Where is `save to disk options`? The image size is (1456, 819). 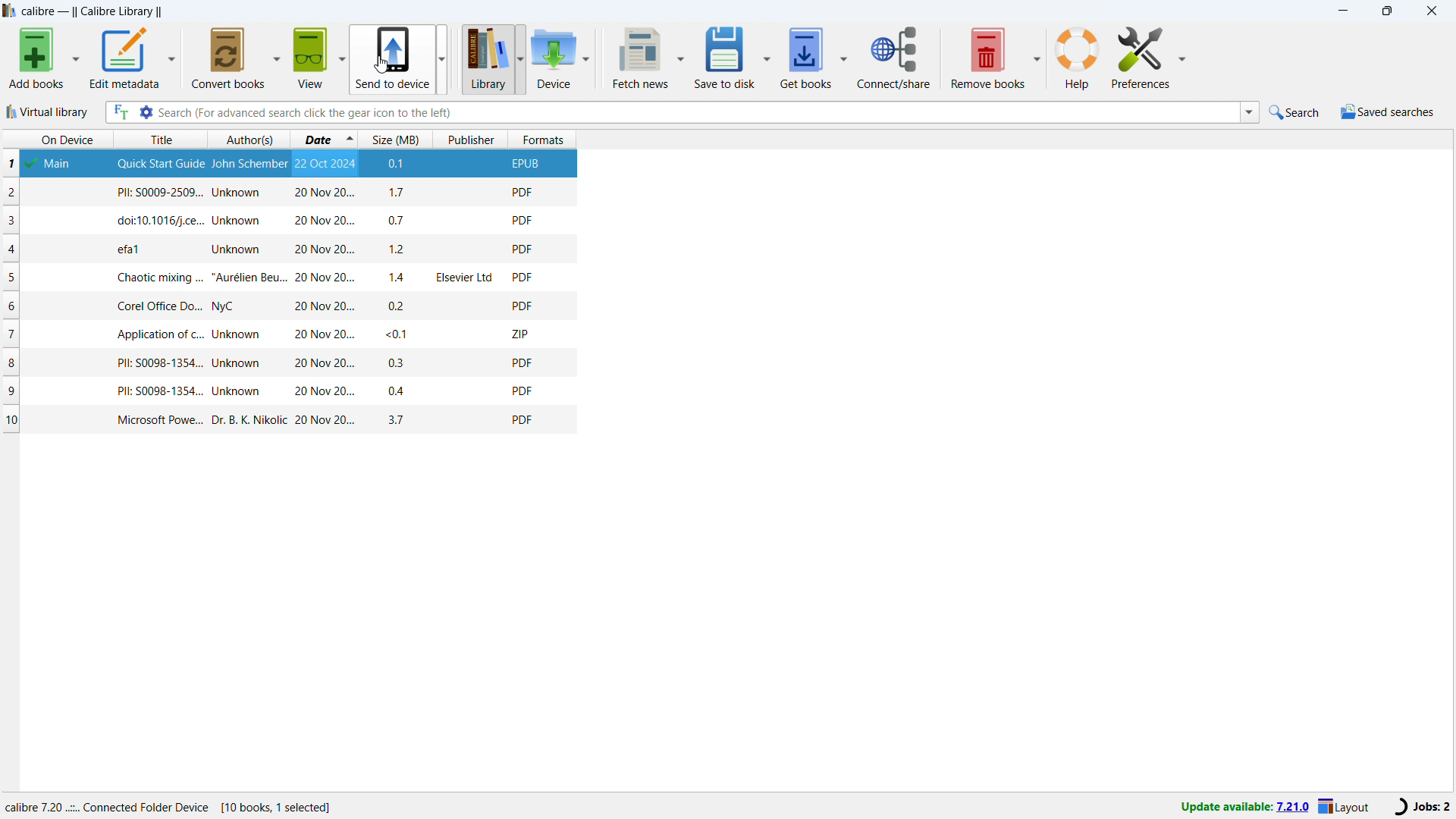 save to disk options is located at coordinates (766, 56).